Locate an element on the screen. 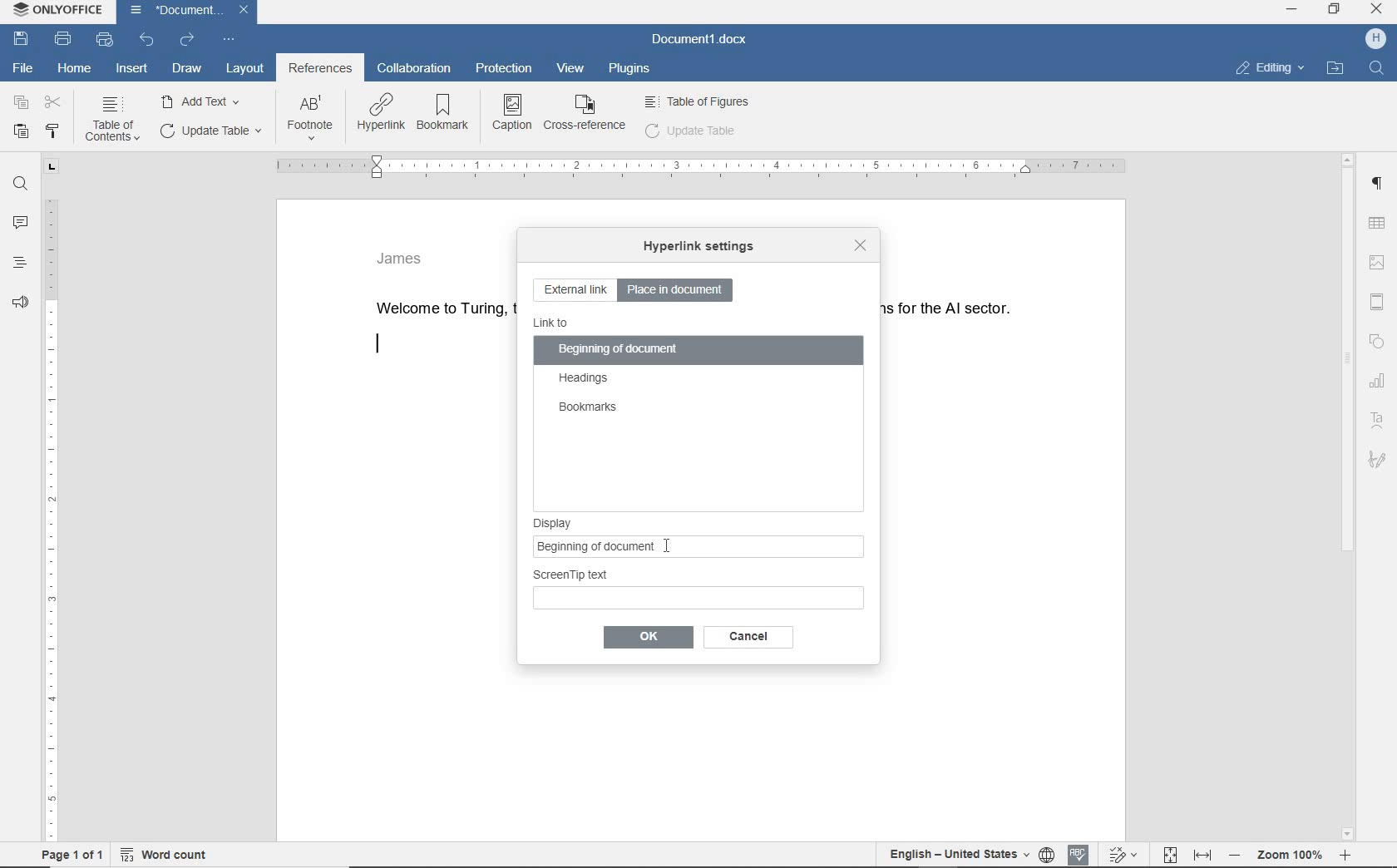  collaboration is located at coordinates (417, 69).